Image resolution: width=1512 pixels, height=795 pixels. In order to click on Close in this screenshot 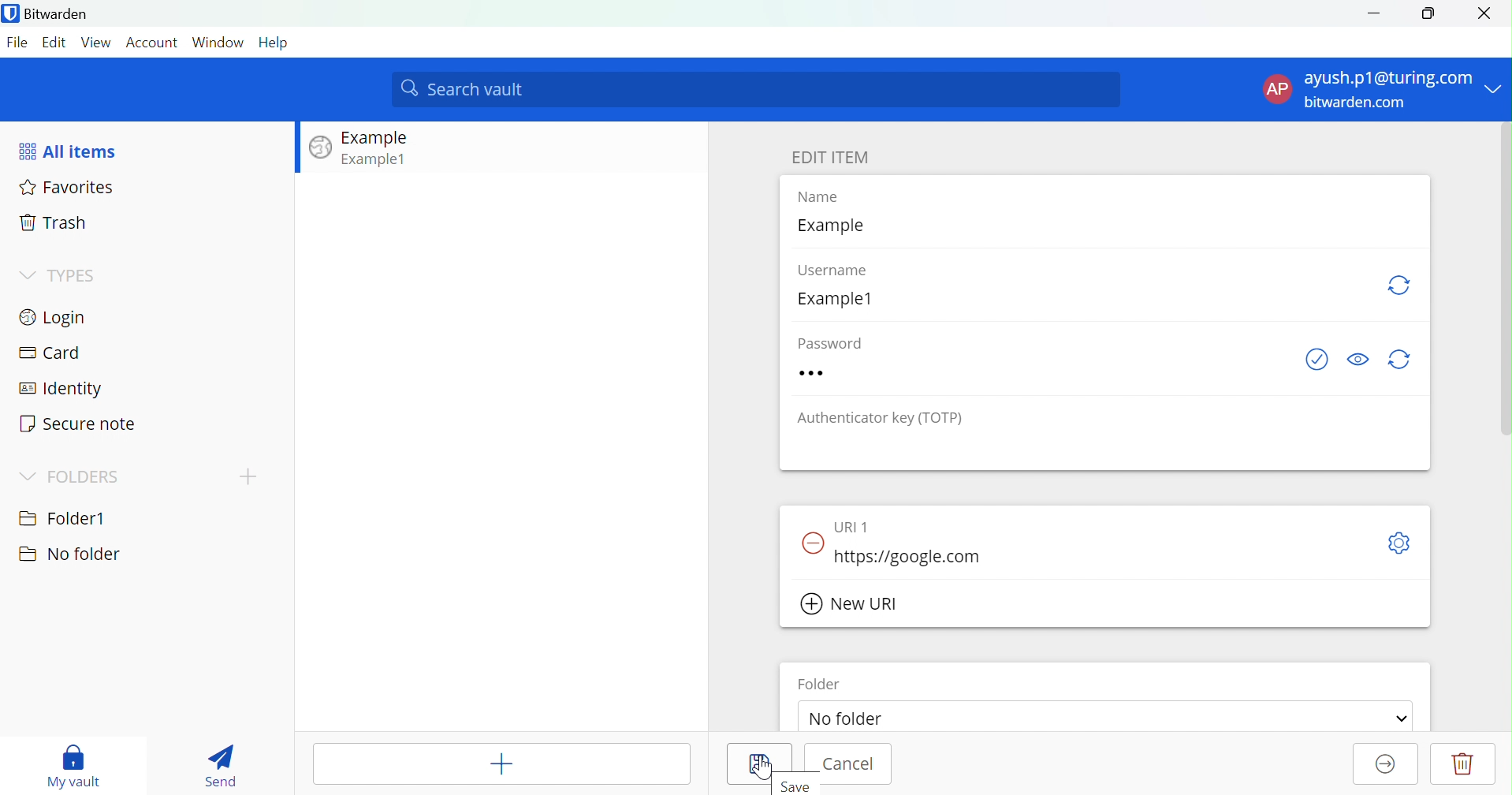, I will do `click(1490, 13)`.